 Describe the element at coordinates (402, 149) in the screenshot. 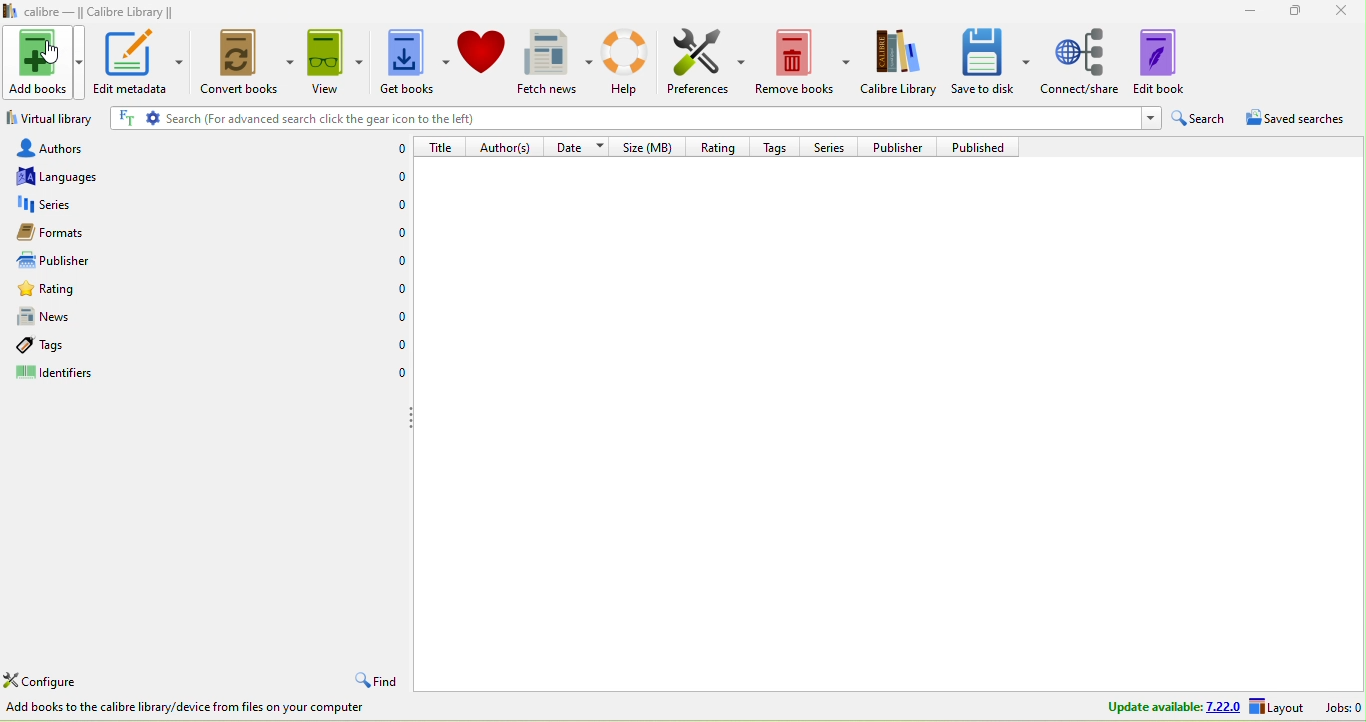

I see `0` at that location.